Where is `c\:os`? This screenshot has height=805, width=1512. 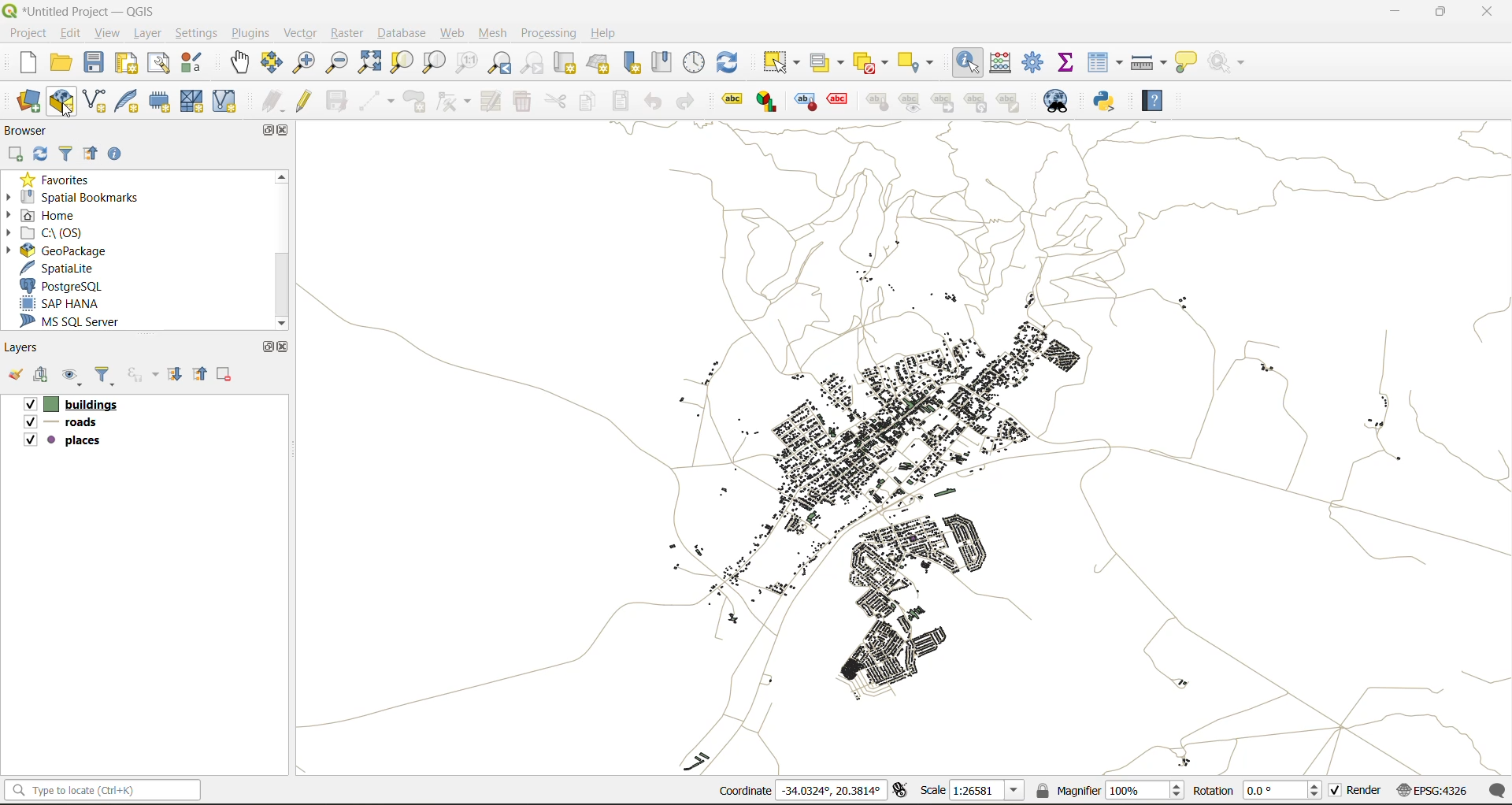 c\:os is located at coordinates (59, 232).